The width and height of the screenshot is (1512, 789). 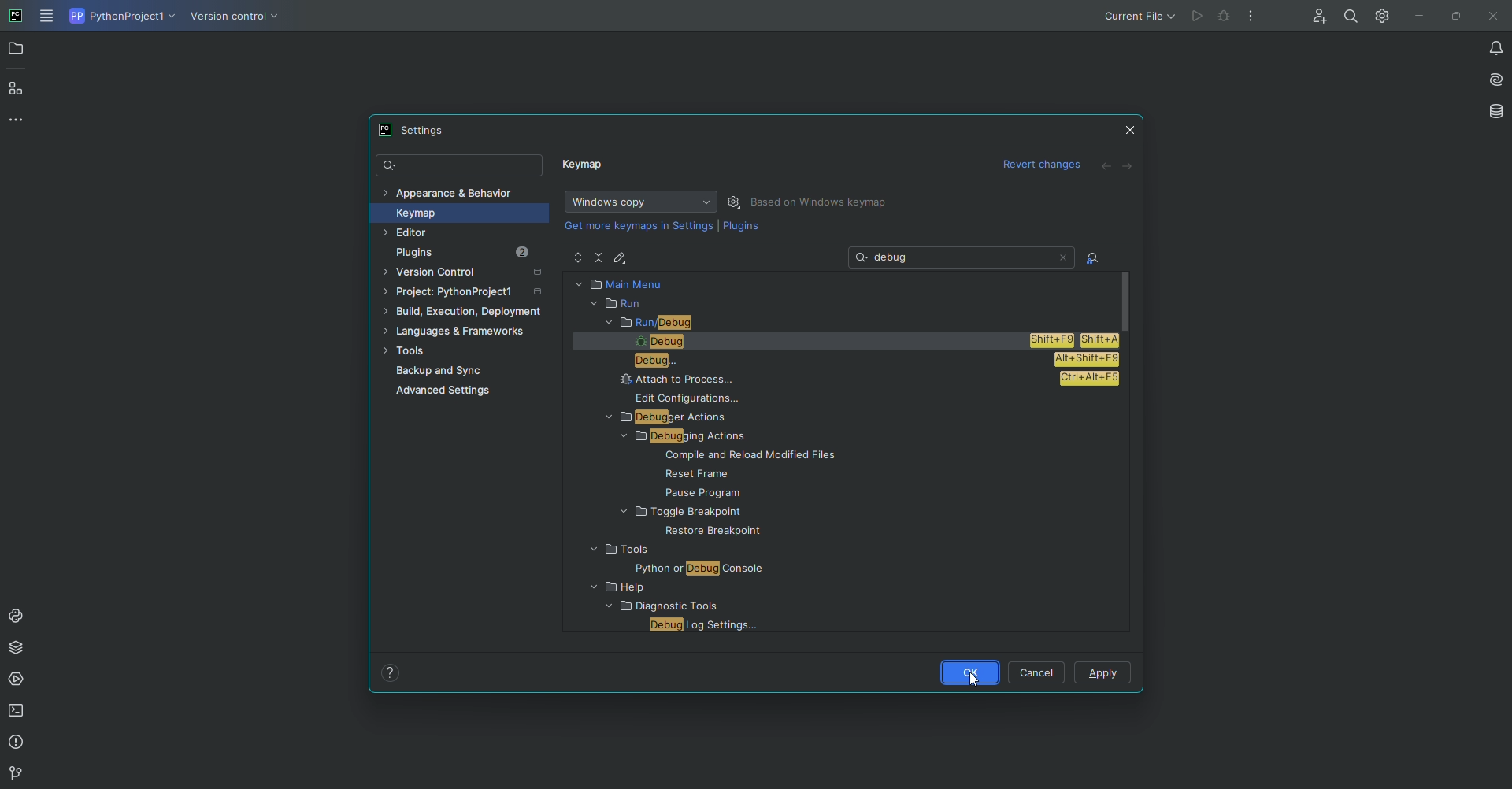 I want to click on Help, so click(x=391, y=672).